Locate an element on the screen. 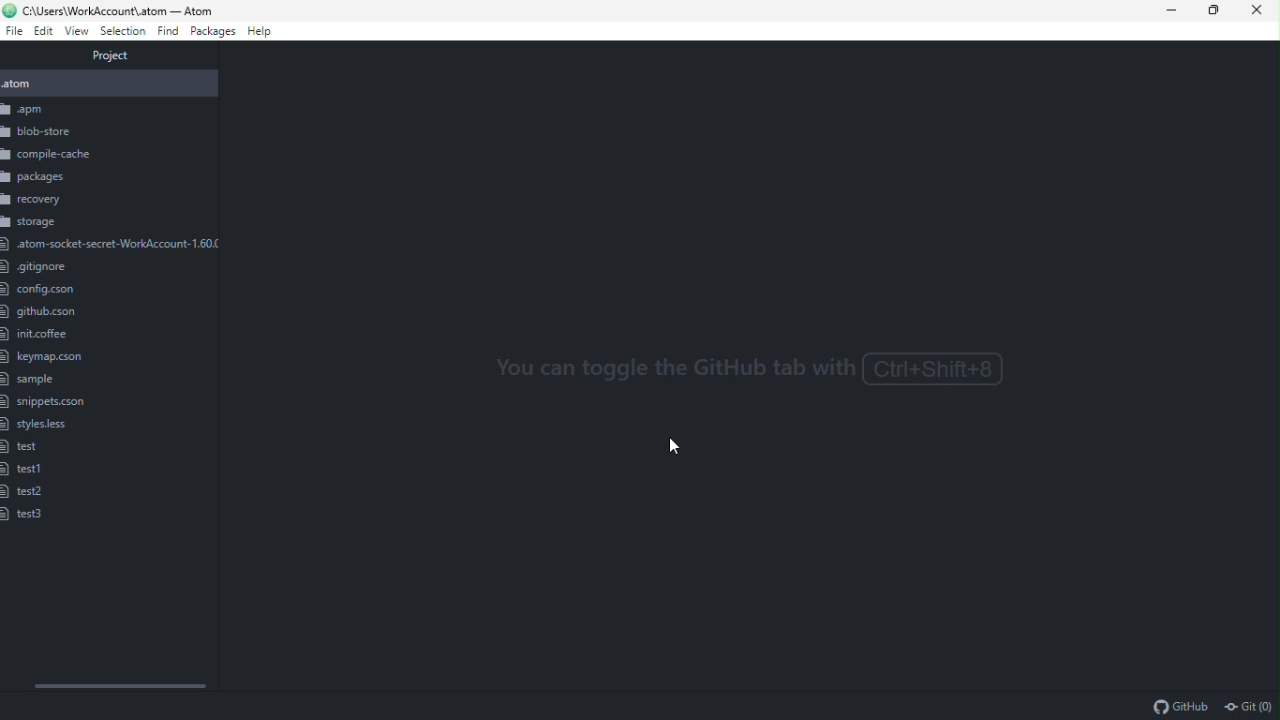 Image resolution: width=1280 pixels, height=720 pixels. view is located at coordinates (78, 33).